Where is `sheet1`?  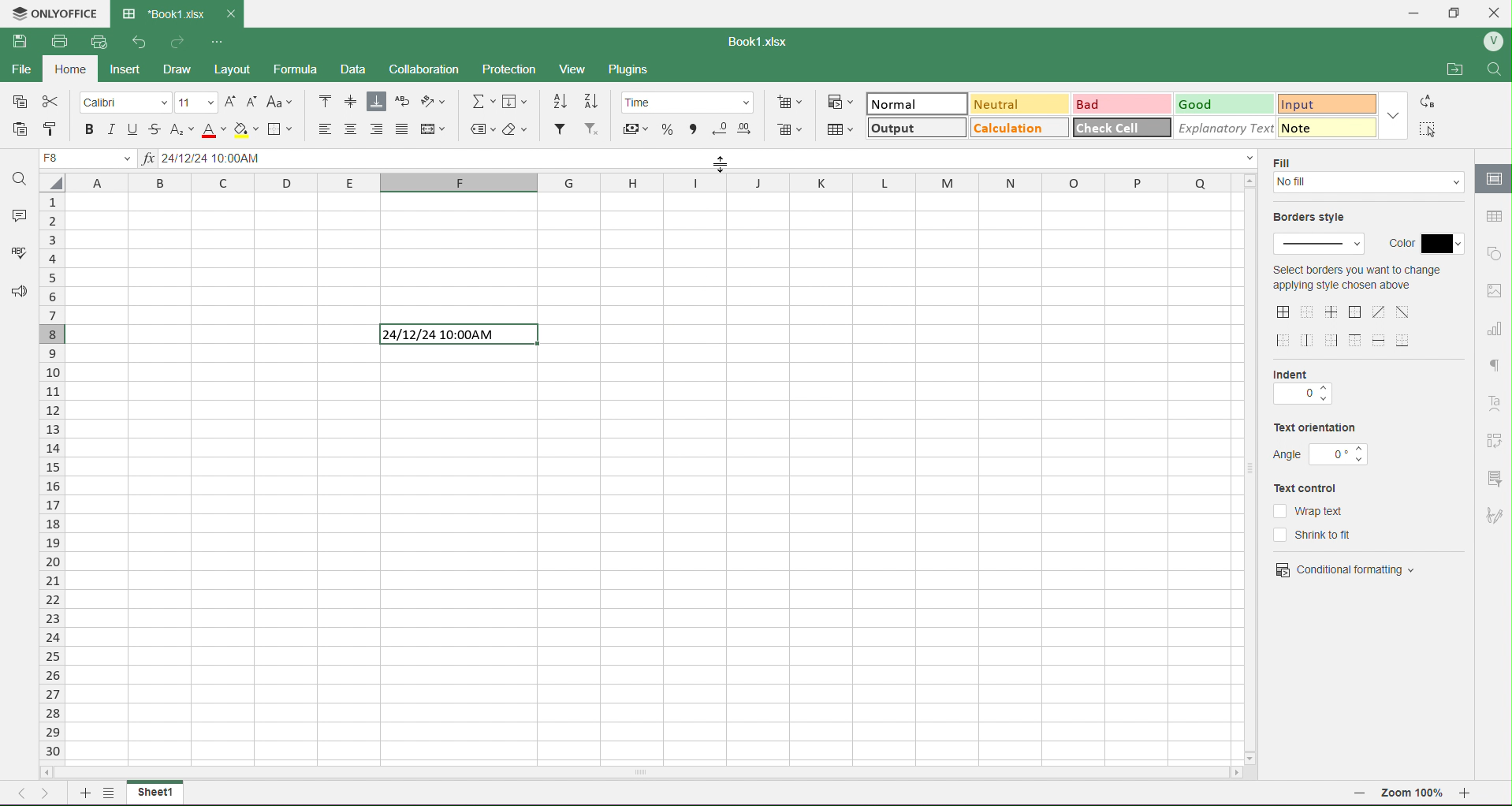 sheet1 is located at coordinates (155, 793).